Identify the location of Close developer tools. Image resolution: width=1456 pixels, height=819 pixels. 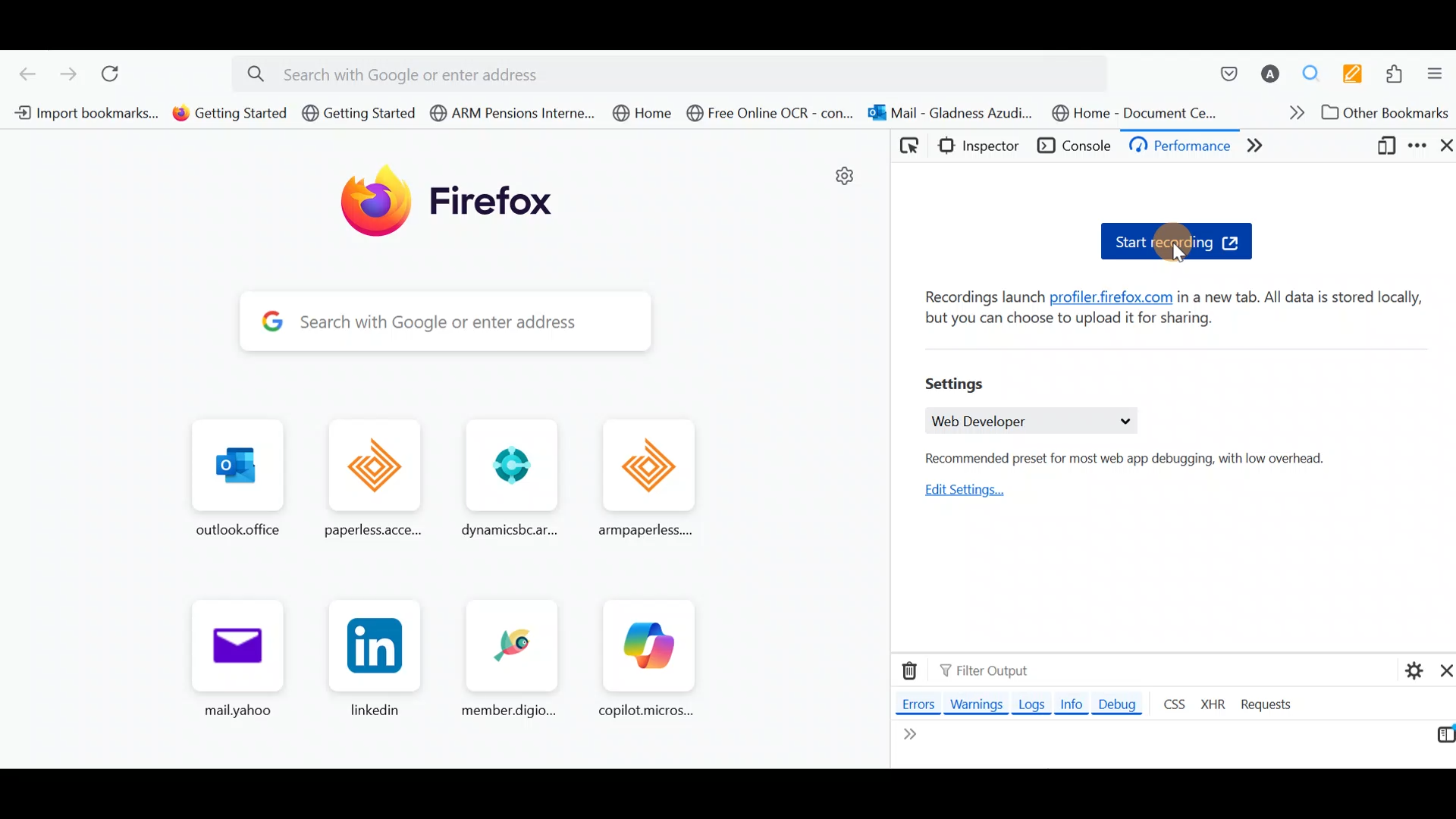
(1445, 147).